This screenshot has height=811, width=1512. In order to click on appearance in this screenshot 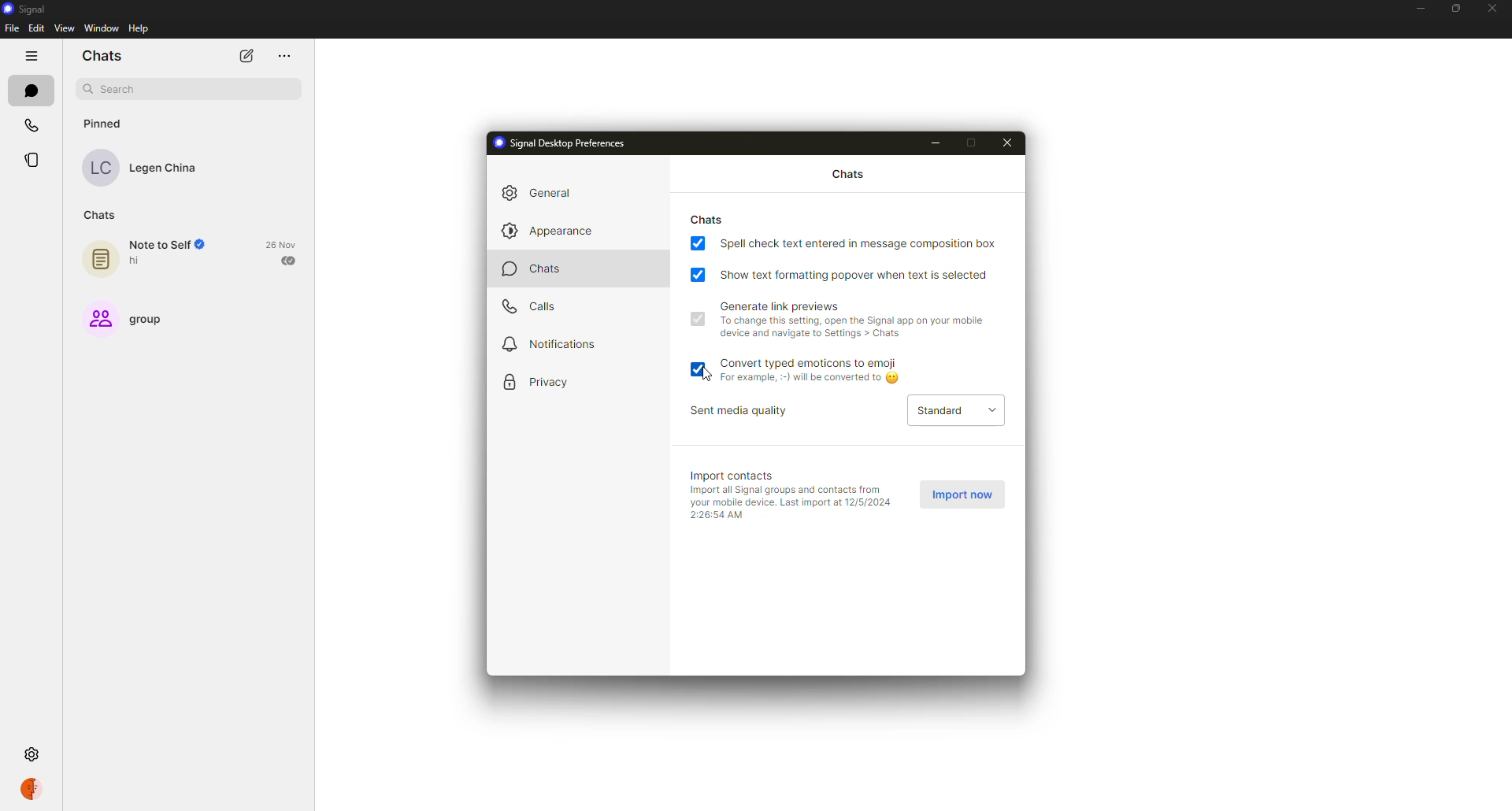, I will do `click(547, 231)`.